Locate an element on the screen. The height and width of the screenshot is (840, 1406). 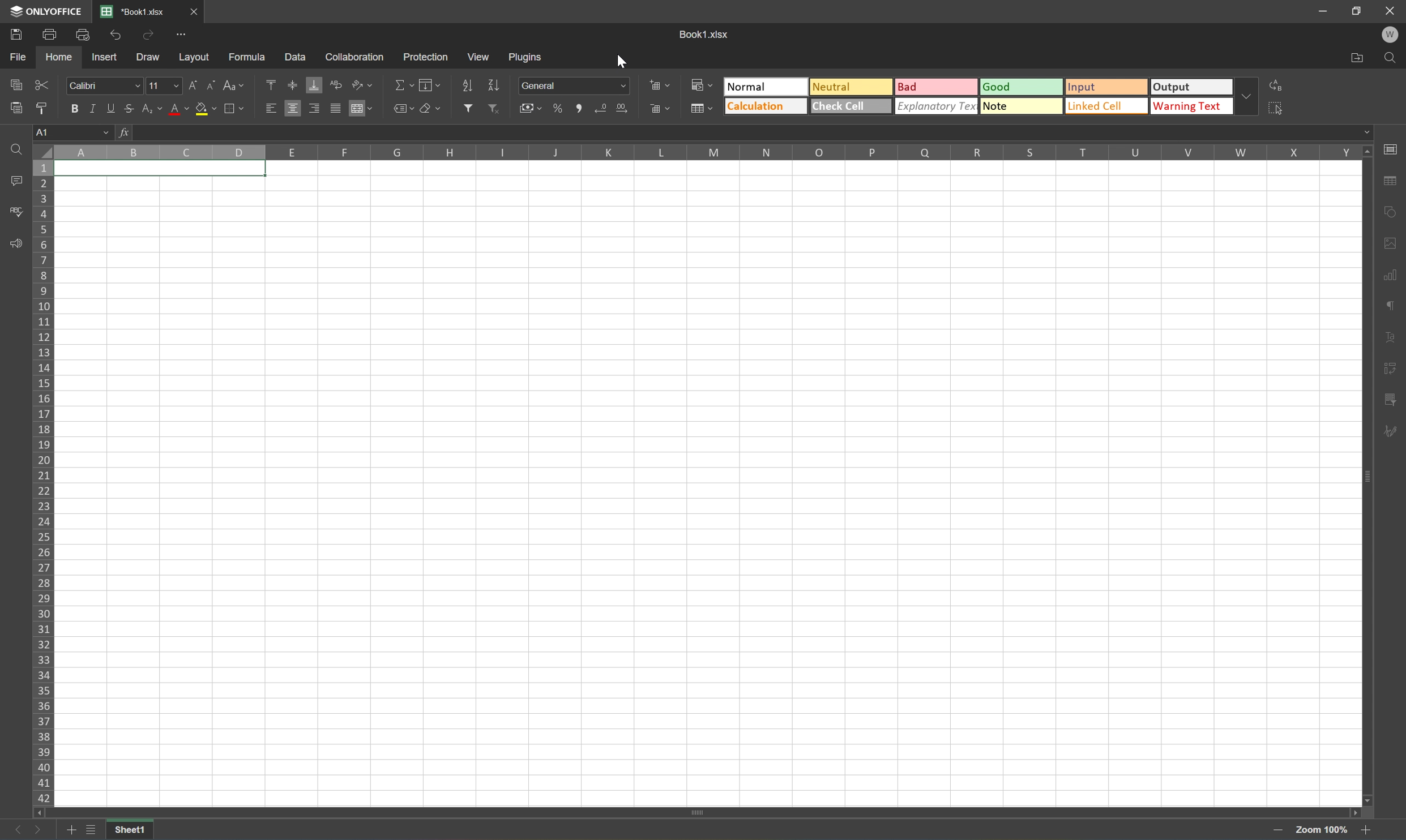
Select all is located at coordinates (1279, 110).